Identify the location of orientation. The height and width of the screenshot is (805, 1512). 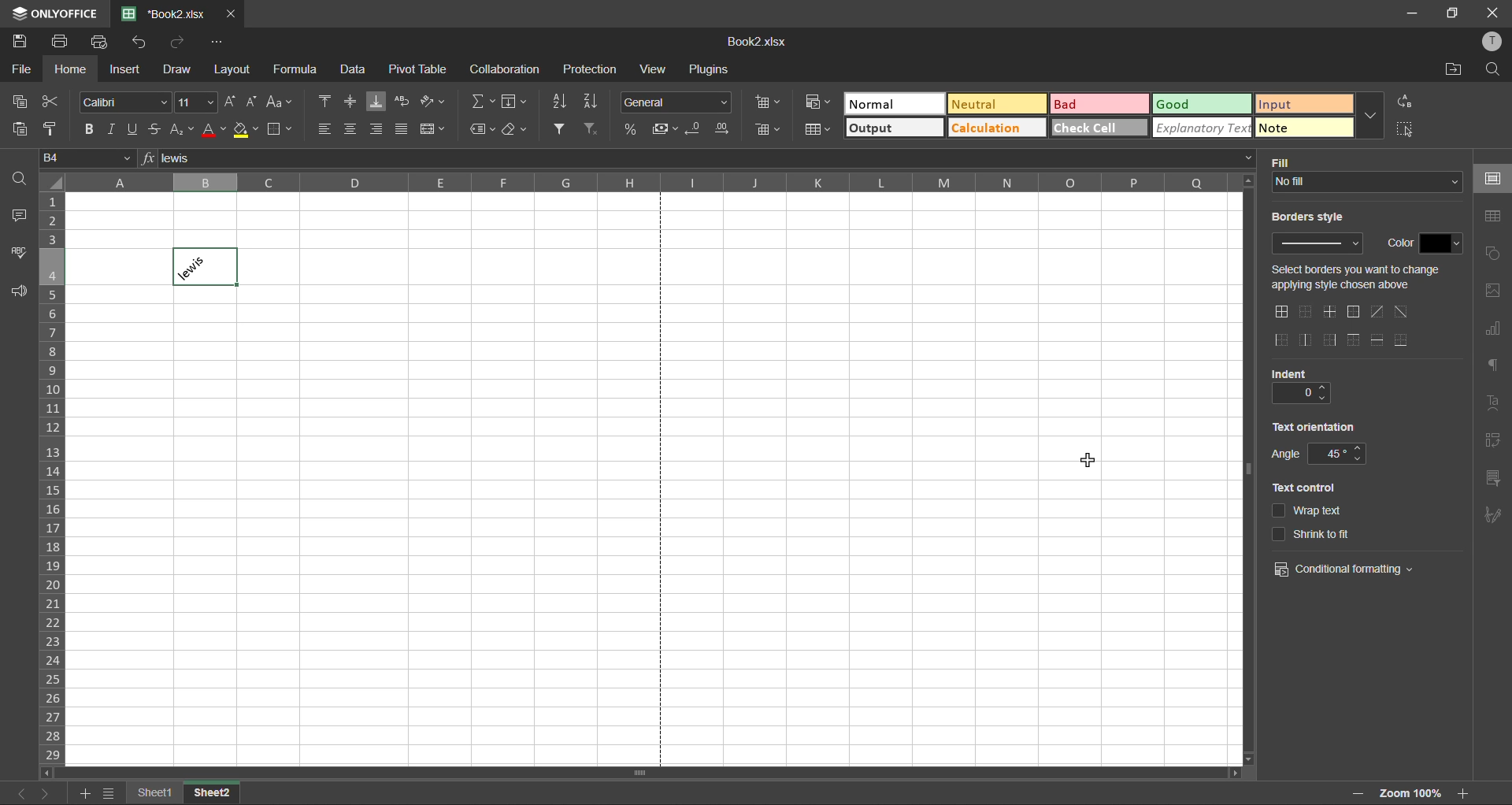
(432, 100).